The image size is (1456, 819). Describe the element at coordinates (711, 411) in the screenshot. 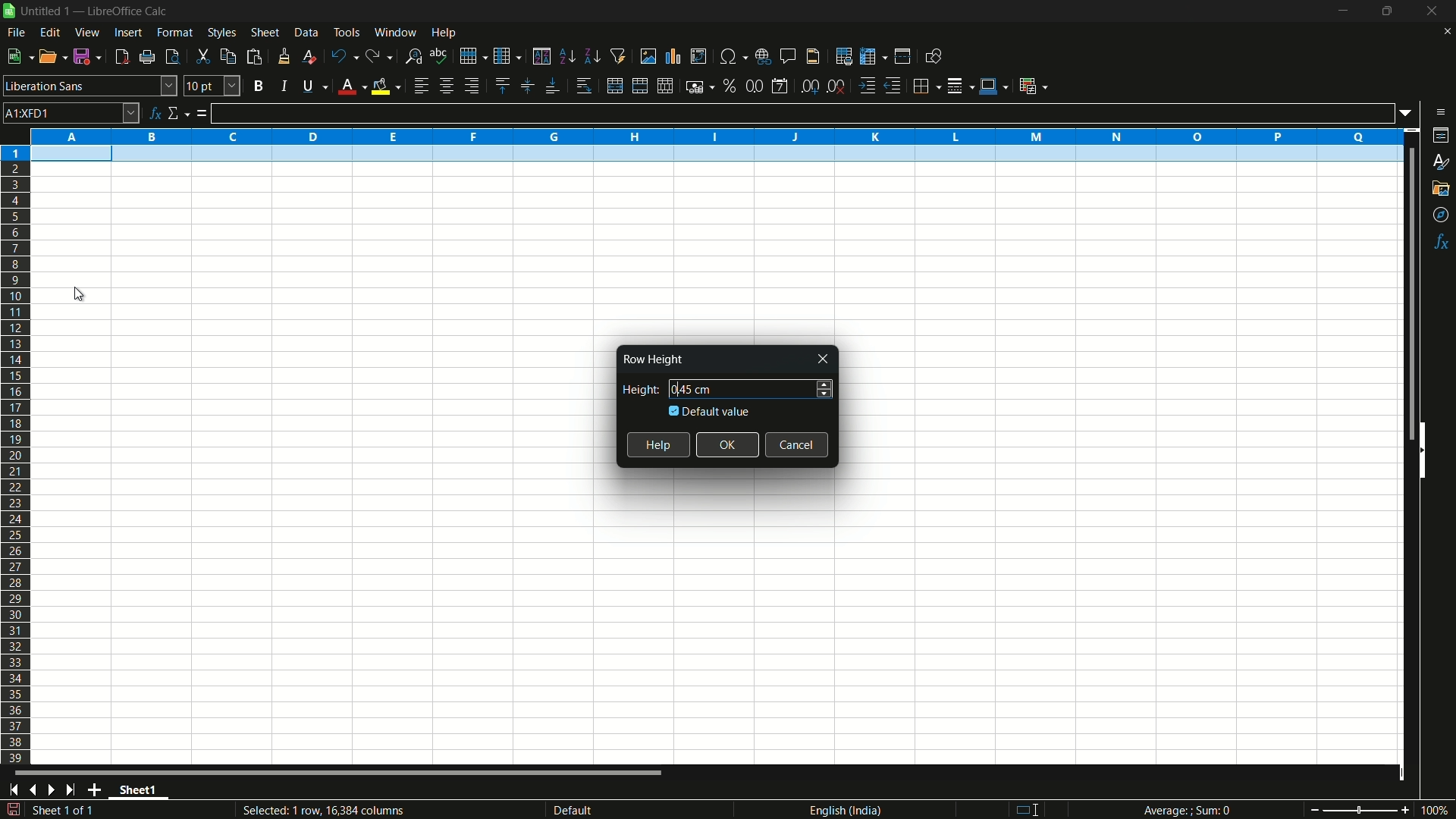

I see `default value` at that location.